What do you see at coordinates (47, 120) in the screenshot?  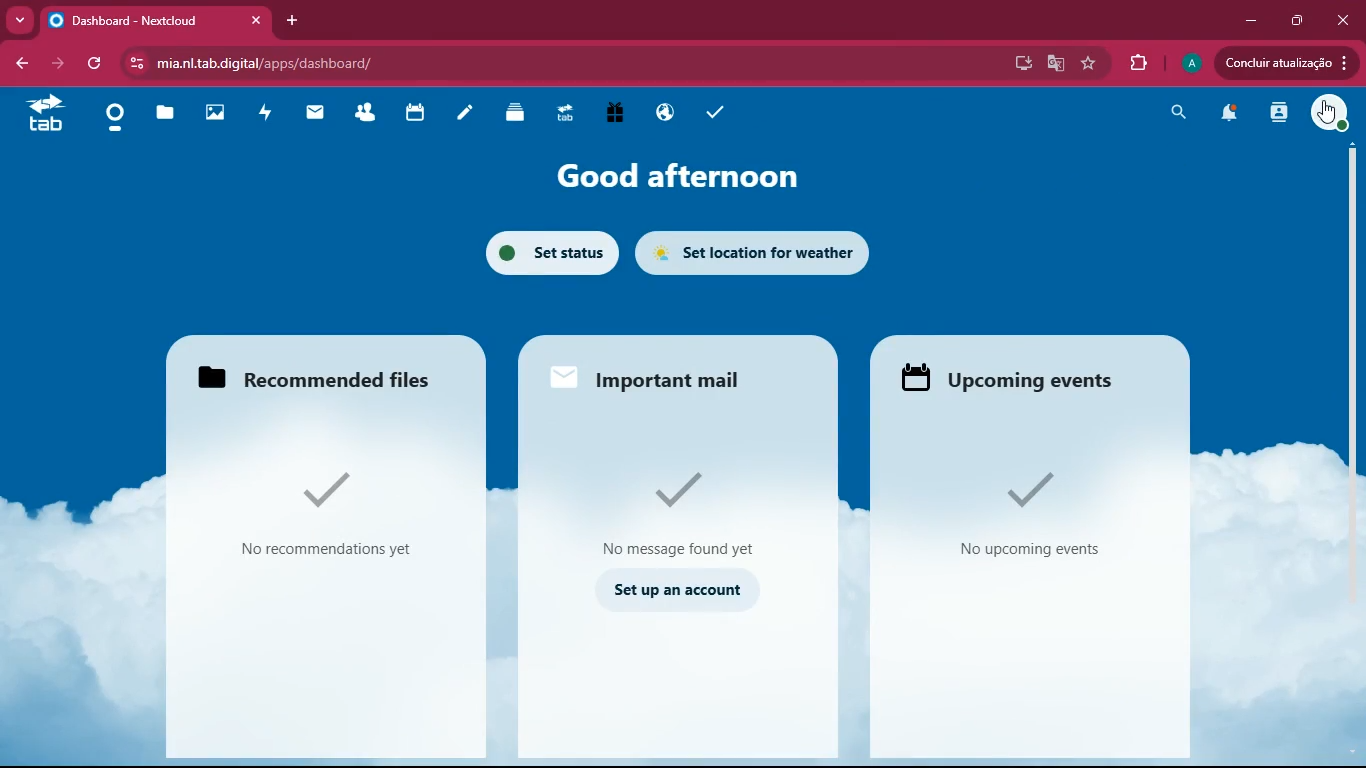 I see `tab` at bounding box center [47, 120].